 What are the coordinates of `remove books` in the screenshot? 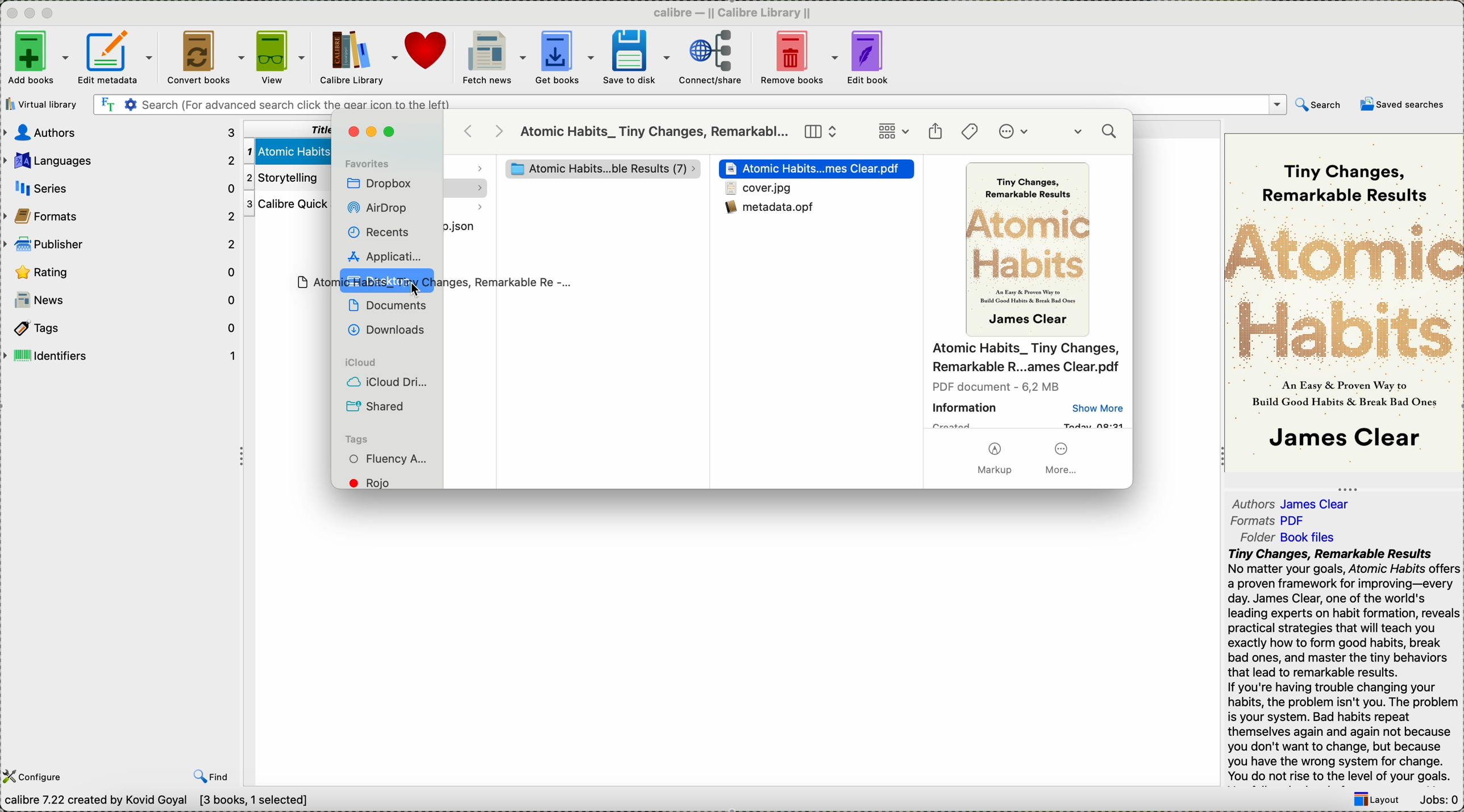 It's located at (798, 59).